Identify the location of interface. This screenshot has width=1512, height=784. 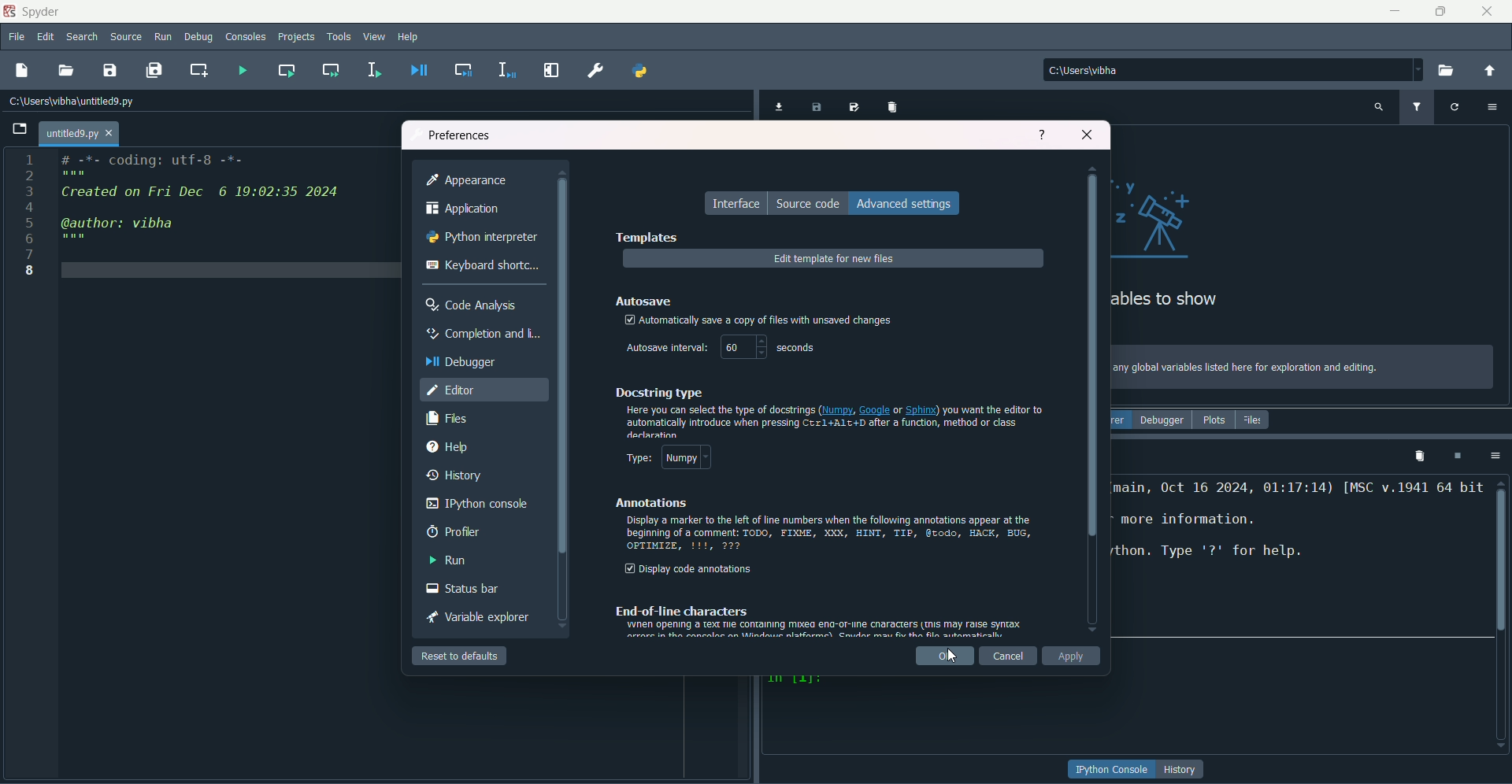
(738, 204).